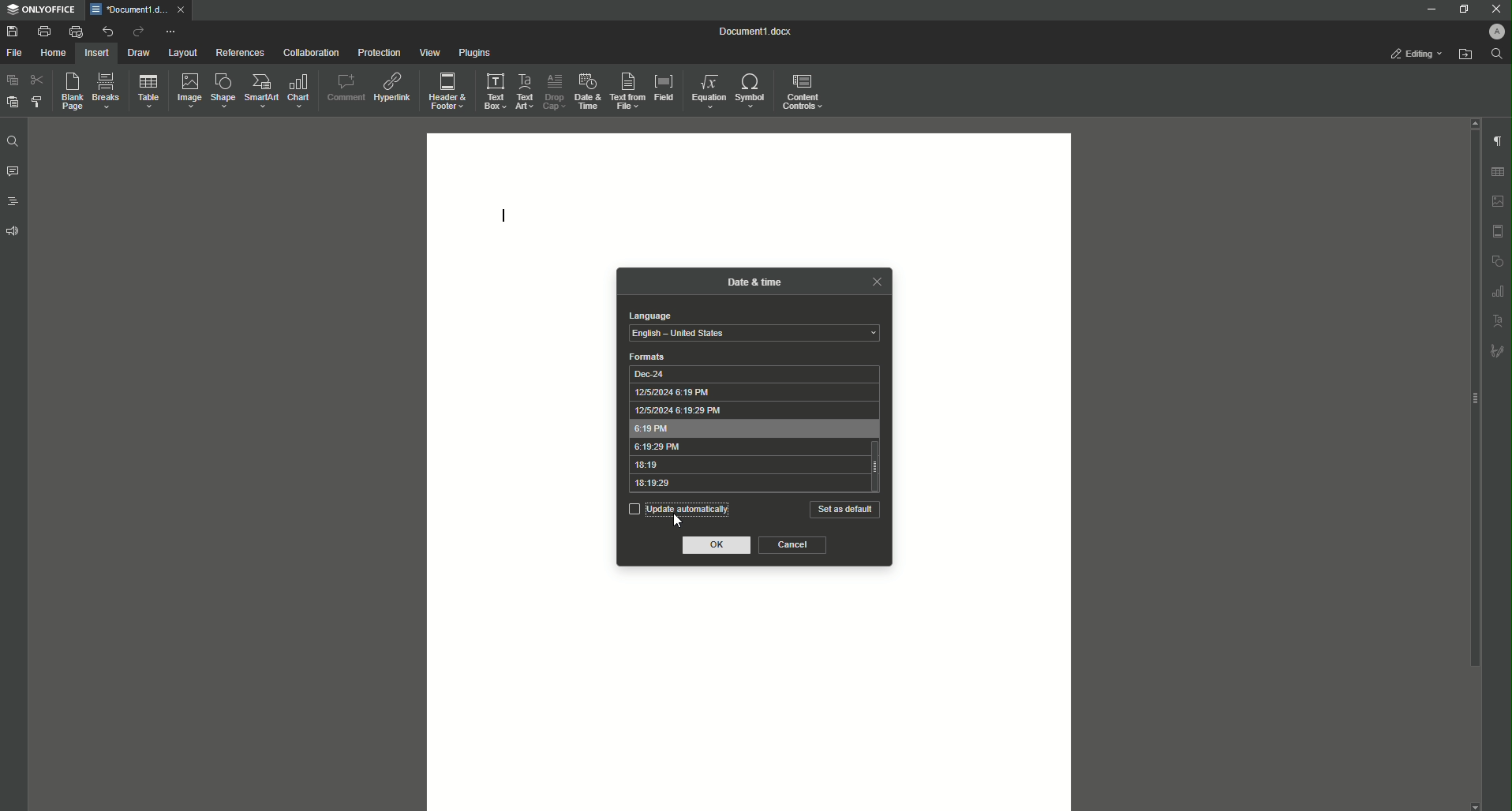 The height and width of the screenshot is (811, 1512). What do you see at coordinates (752, 92) in the screenshot?
I see `Symbol` at bounding box center [752, 92].